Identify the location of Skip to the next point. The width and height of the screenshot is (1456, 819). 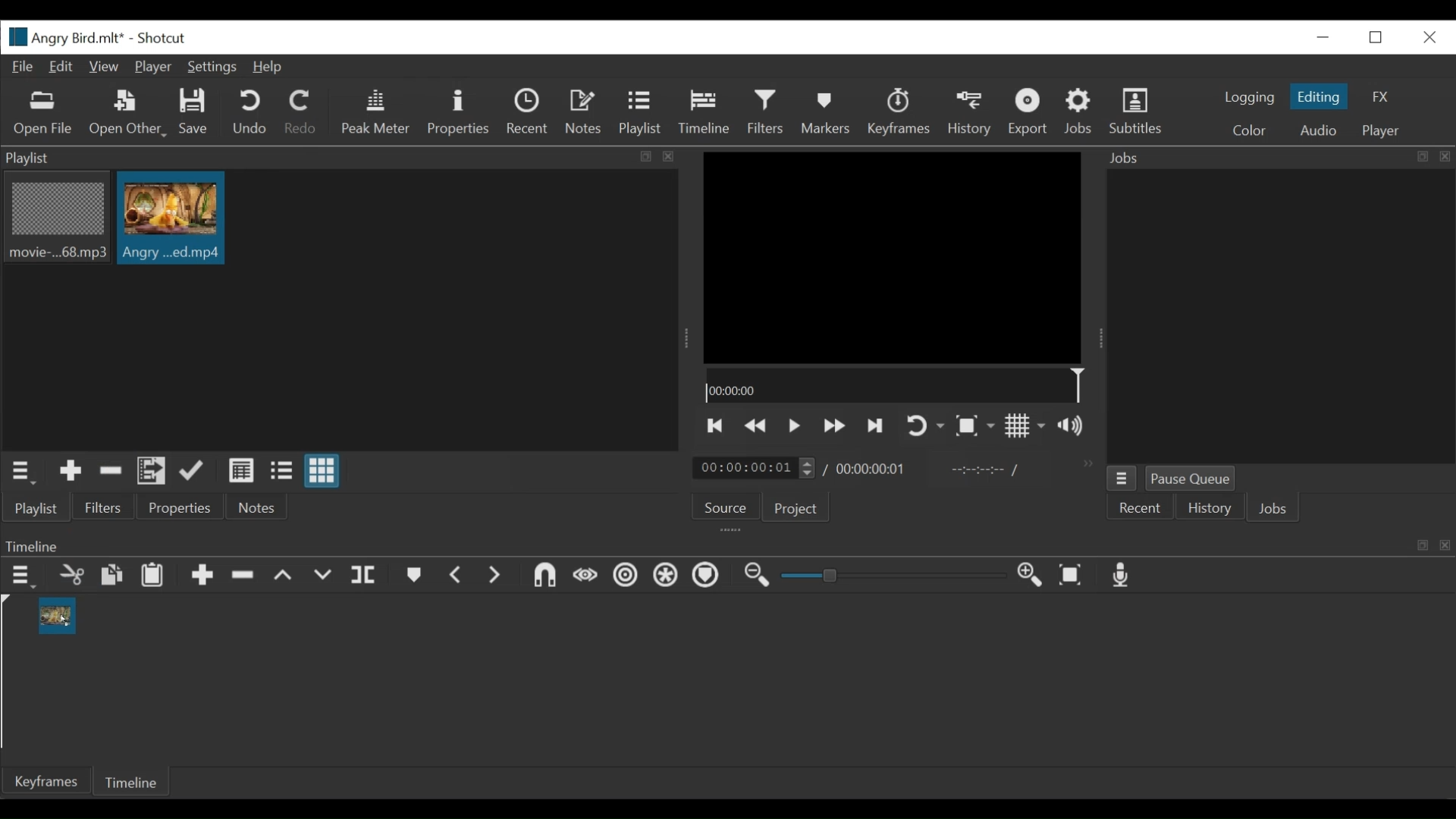
(875, 426).